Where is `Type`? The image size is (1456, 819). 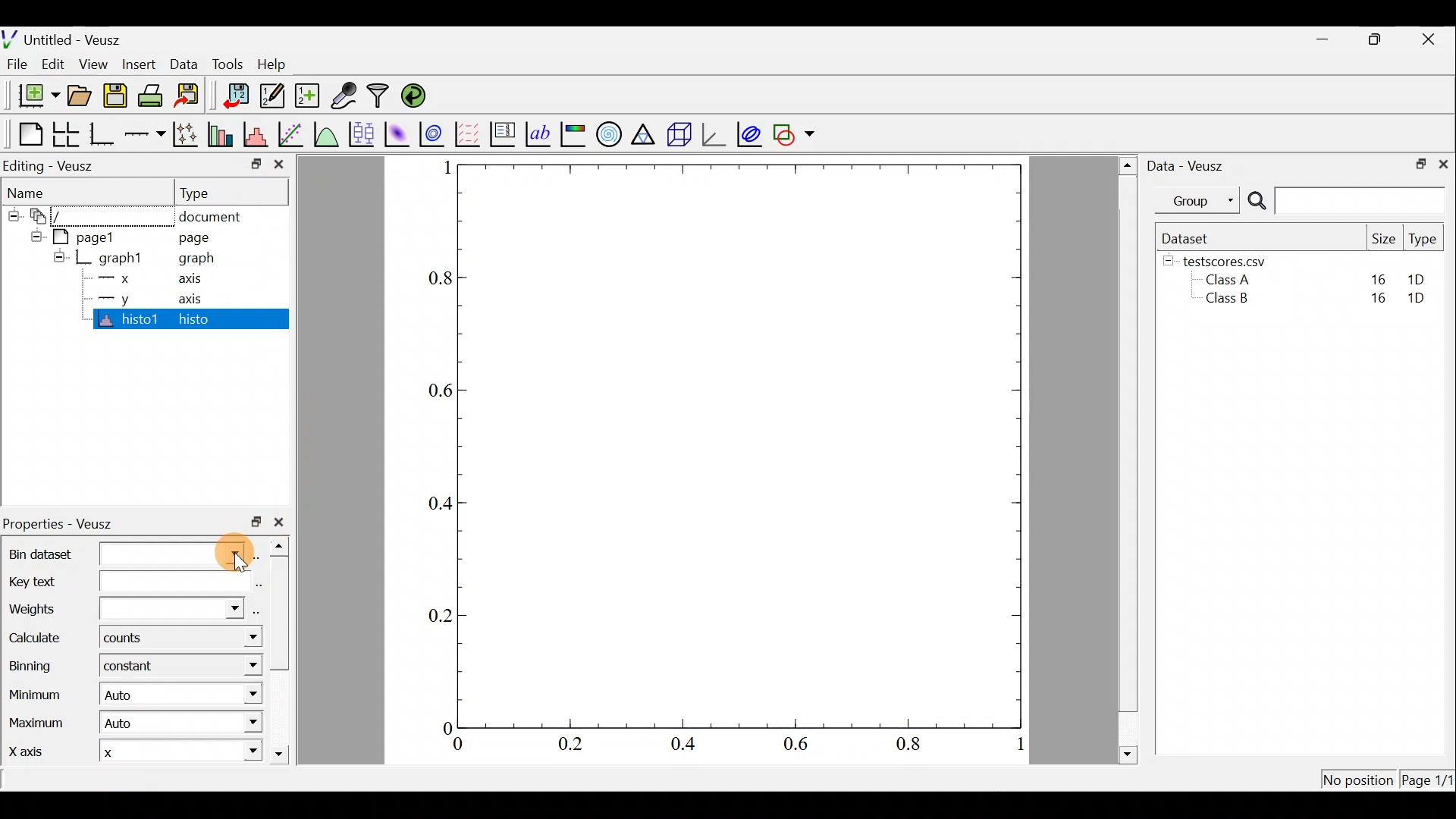 Type is located at coordinates (1423, 240).